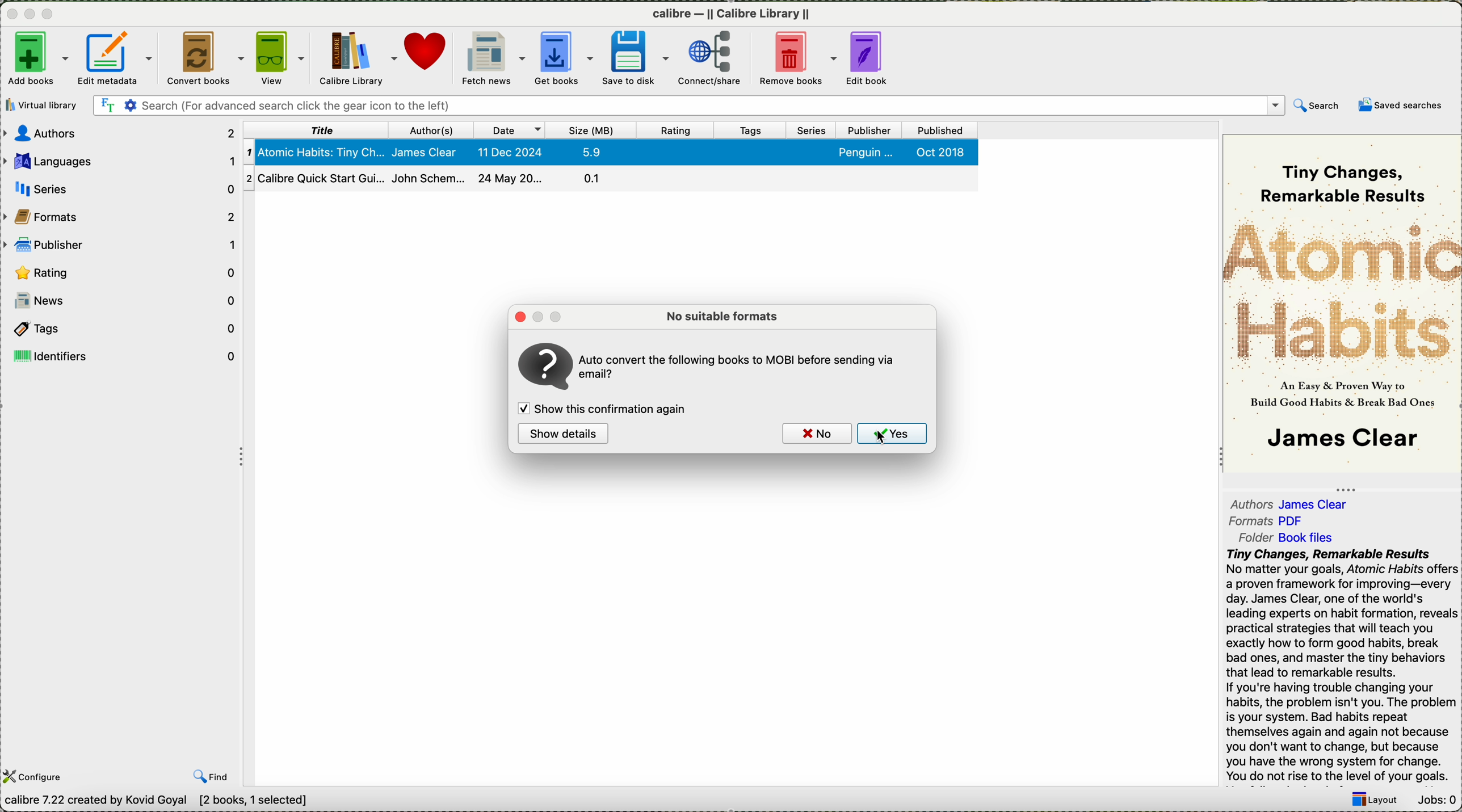 This screenshot has height=812, width=1462. Describe the element at coordinates (120, 161) in the screenshot. I see `languages` at that location.